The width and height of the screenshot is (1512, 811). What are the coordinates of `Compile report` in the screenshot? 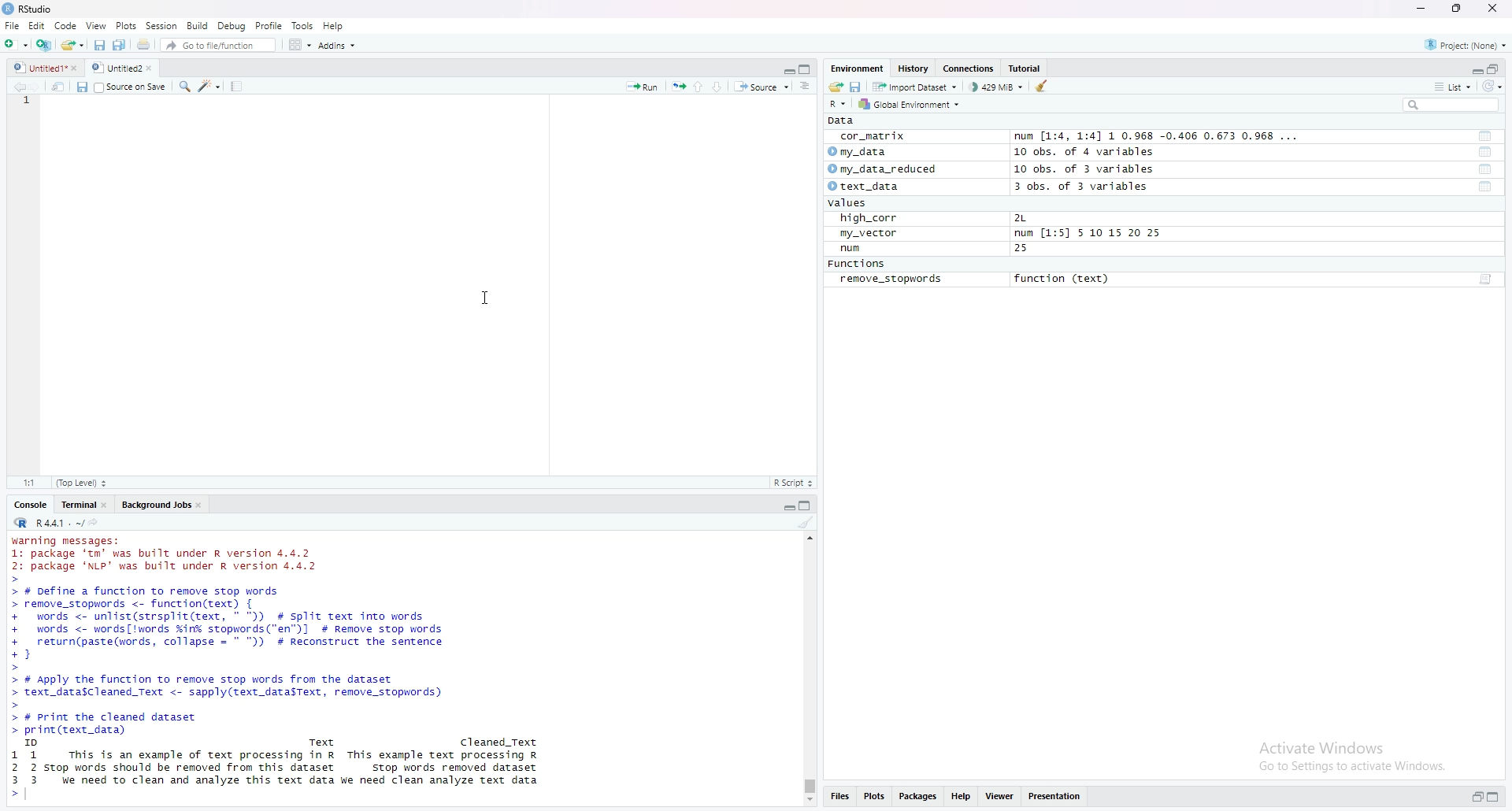 It's located at (236, 87).